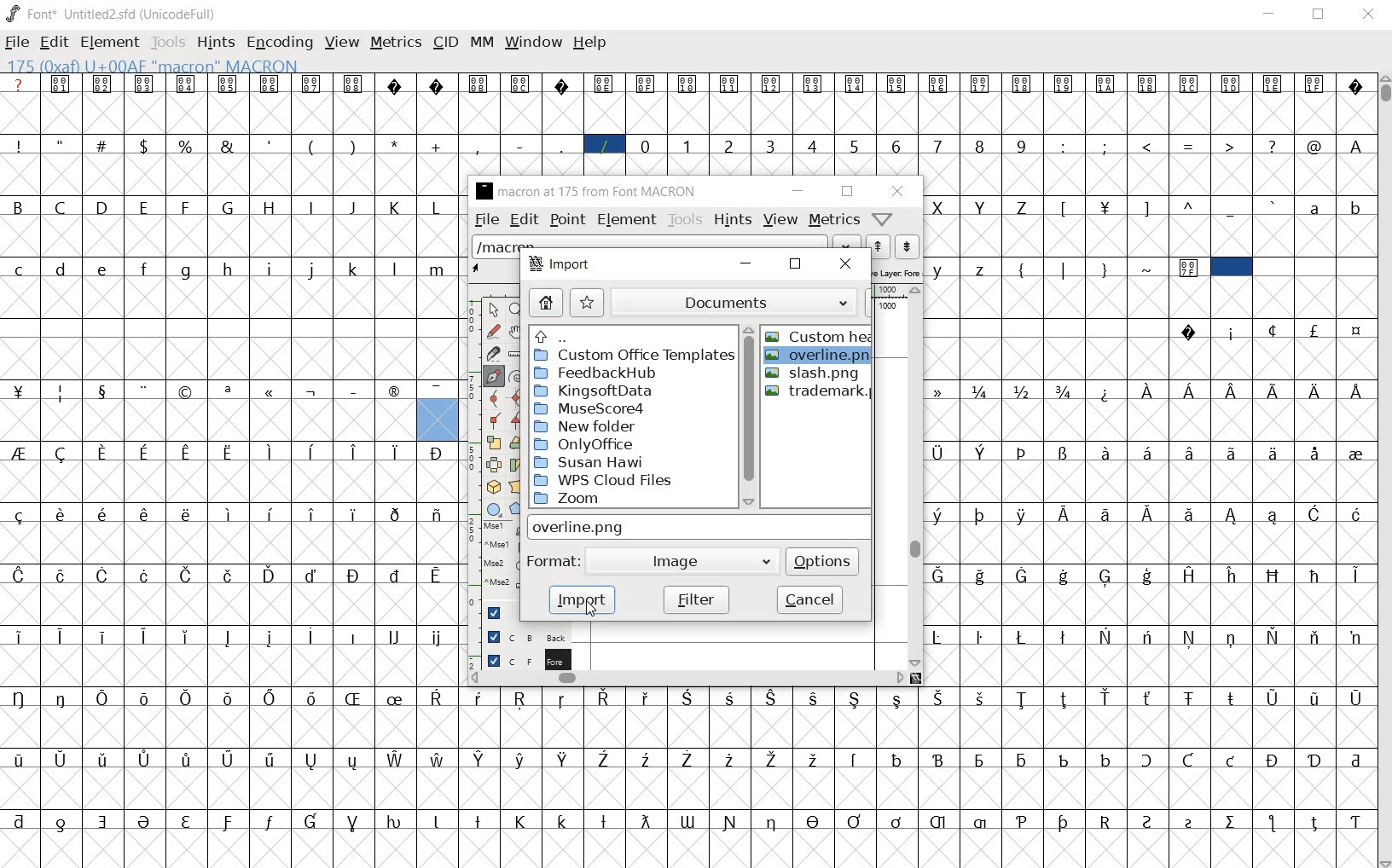 Image resolution: width=1392 pixels, height=868 pixels. What do you see at coordinates (833, 220) in the screenshot?
I see `metrics` at bounding box center [833, 220].